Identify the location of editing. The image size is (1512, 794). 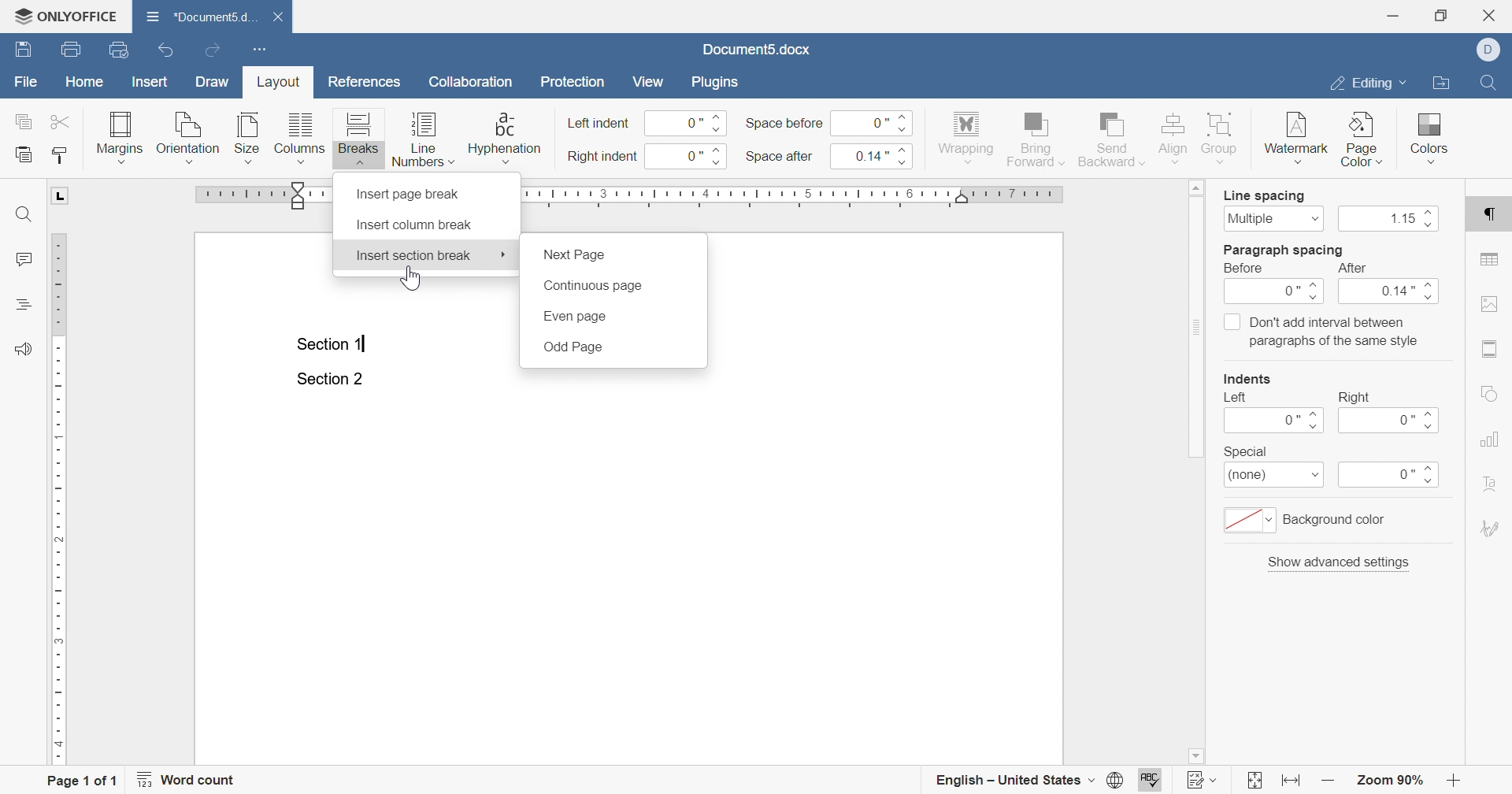
(1368, 86).